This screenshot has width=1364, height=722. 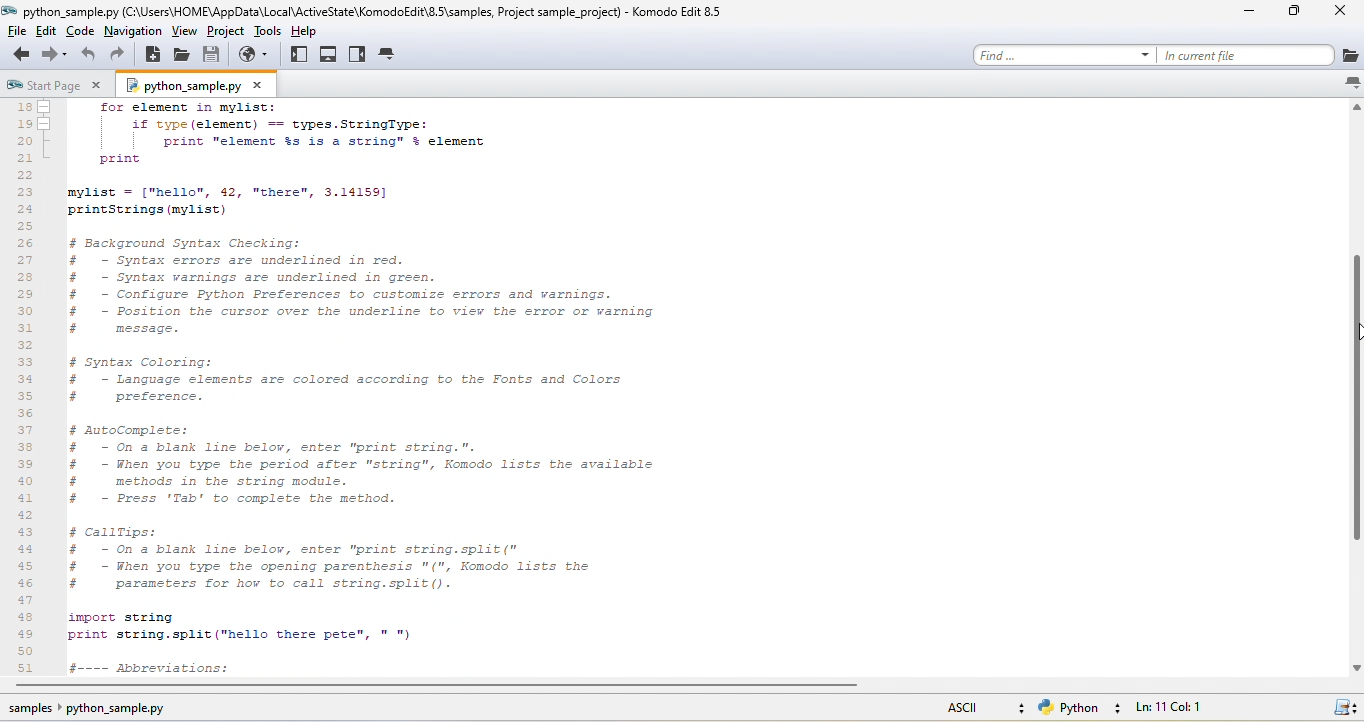 What do you see at coordinates (1354, 106) in the screenshot?
I see `scroll up` at bounding box center [1354, 106].